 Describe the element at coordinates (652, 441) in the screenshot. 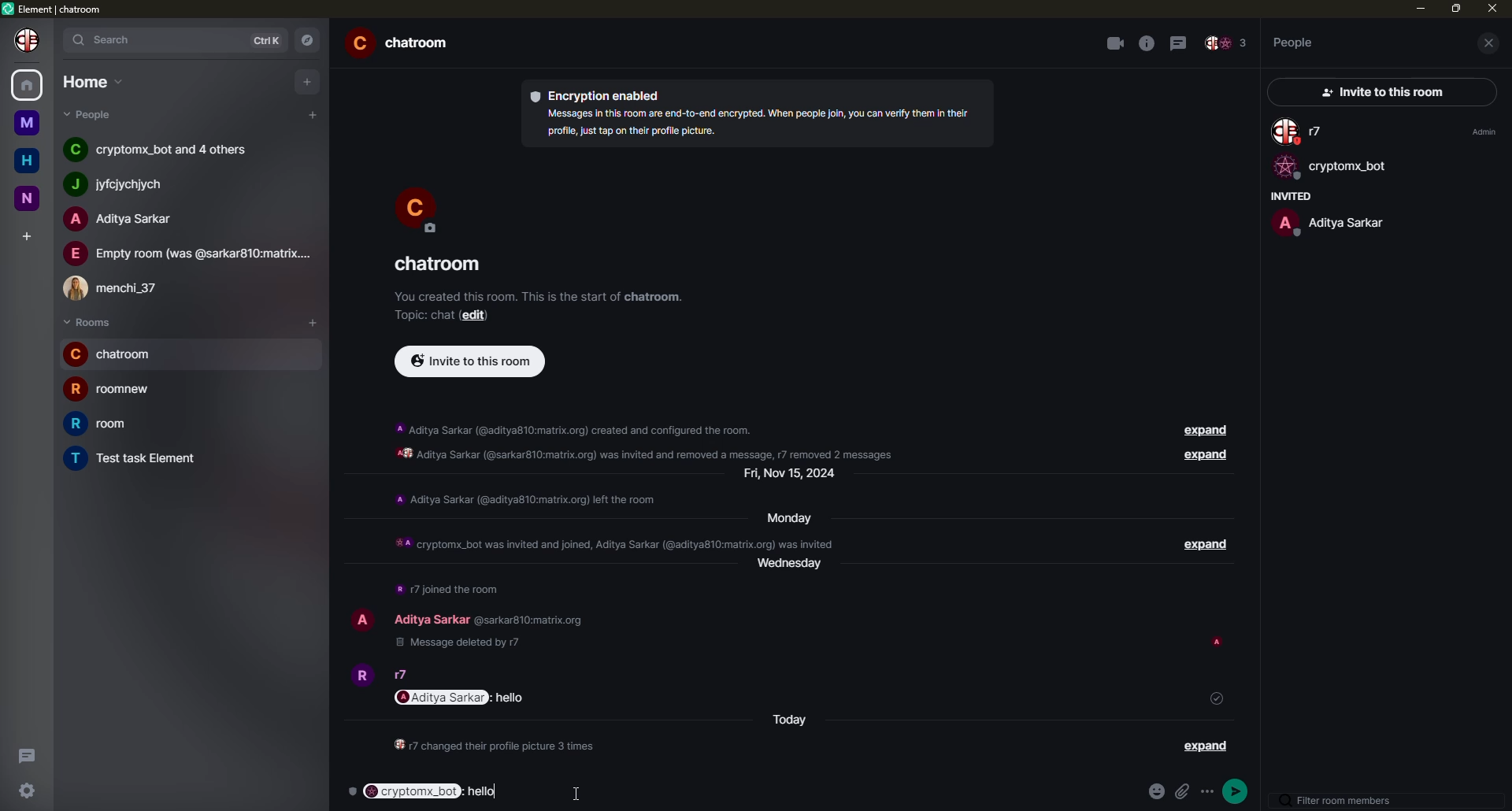

I see `info` at that location.